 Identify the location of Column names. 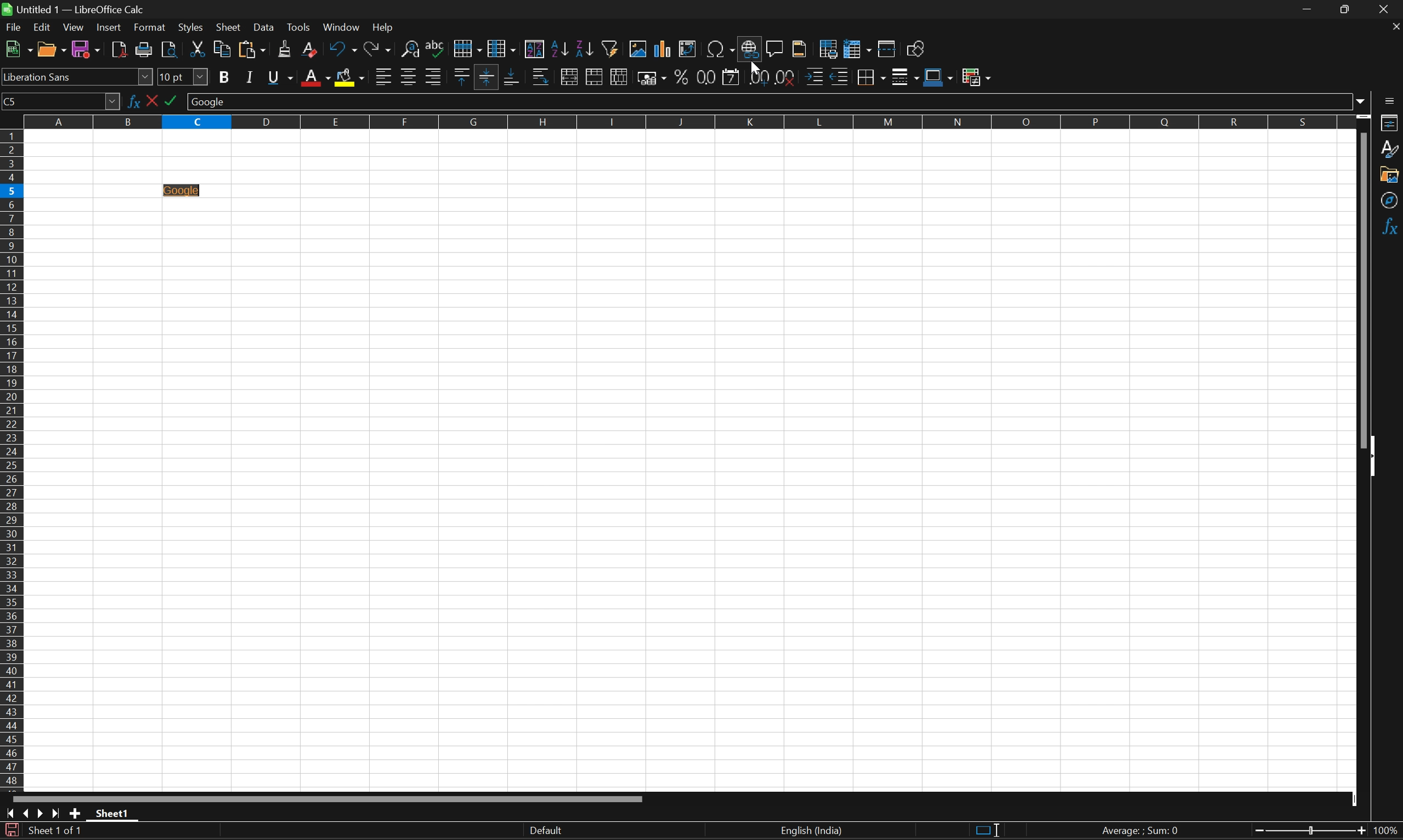
(685, 122).